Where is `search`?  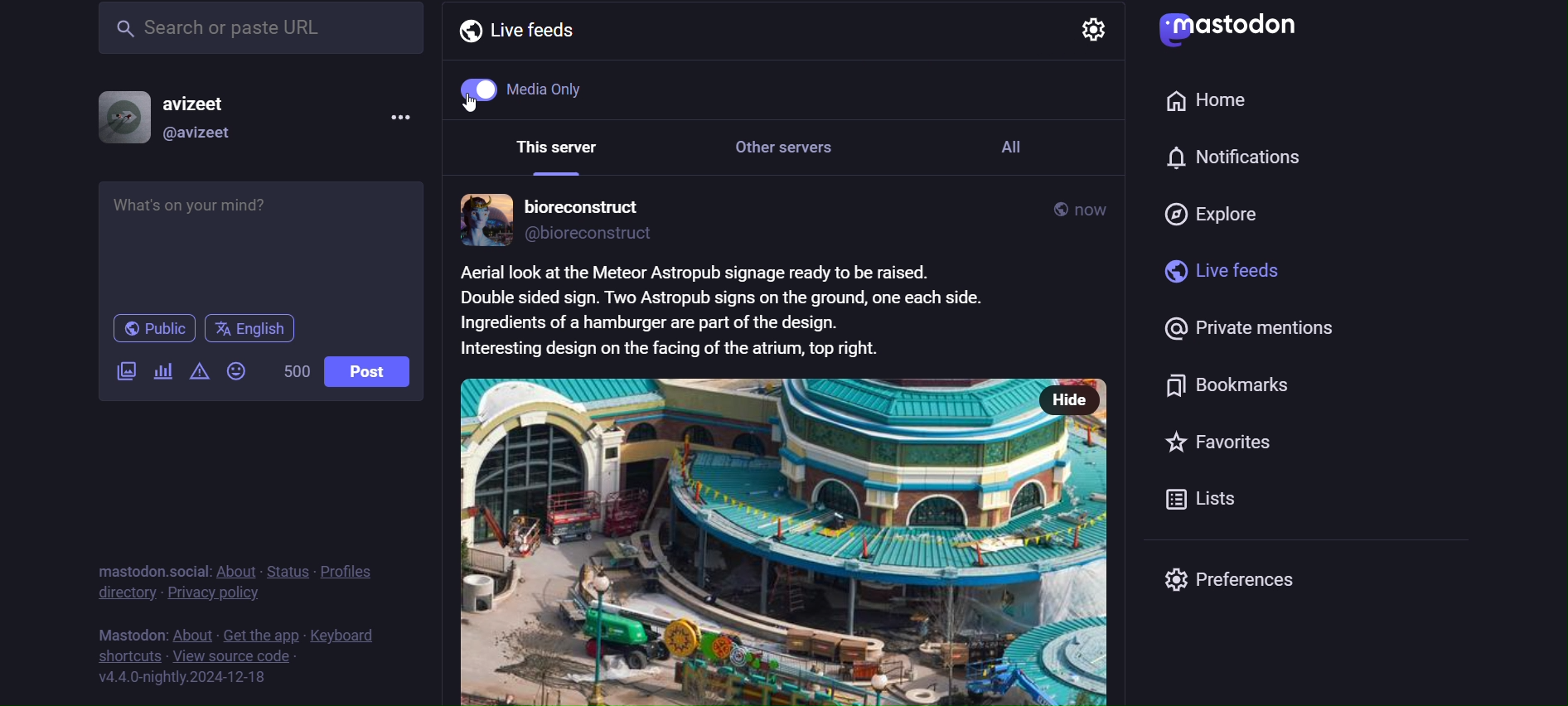 search is located at coordinates (255, 33).